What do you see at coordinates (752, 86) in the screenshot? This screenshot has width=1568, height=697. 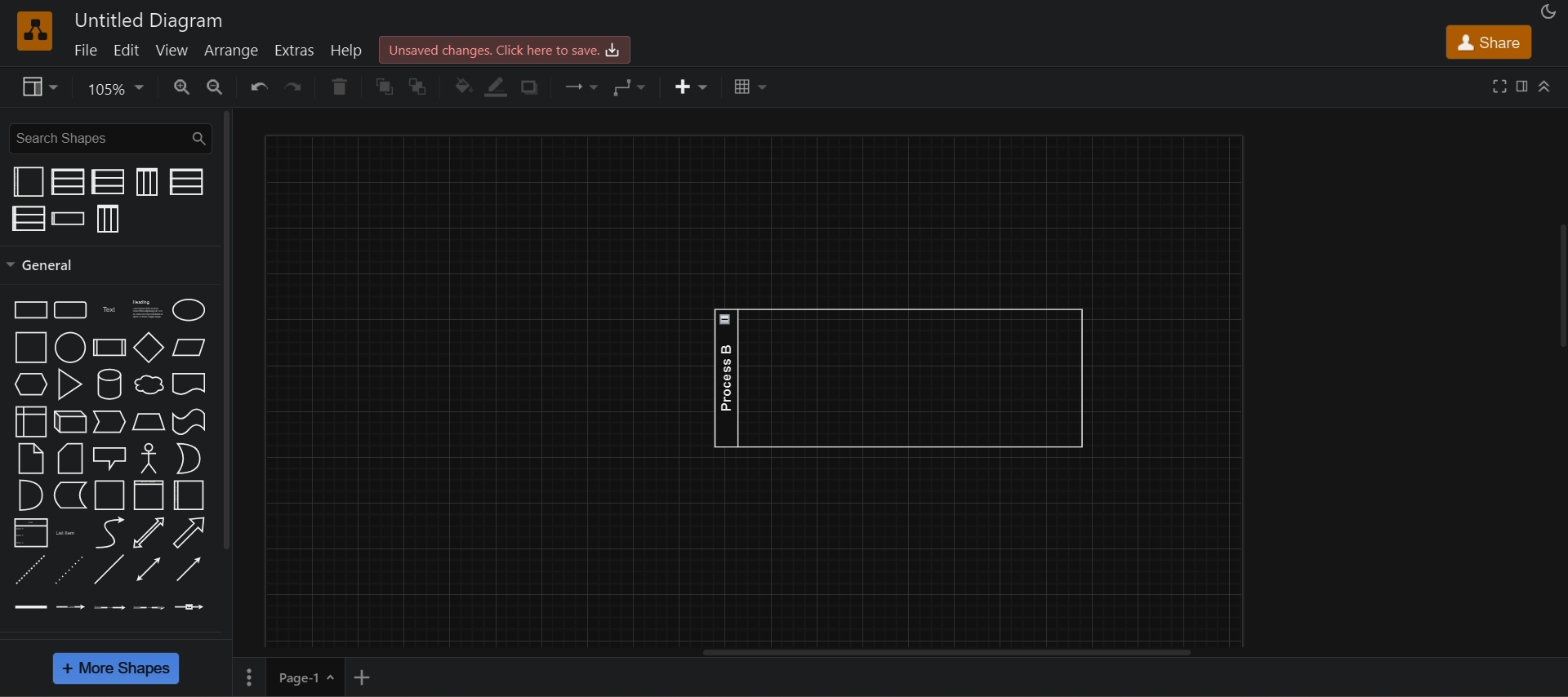 I see `table` at bounding box center [752, 86].